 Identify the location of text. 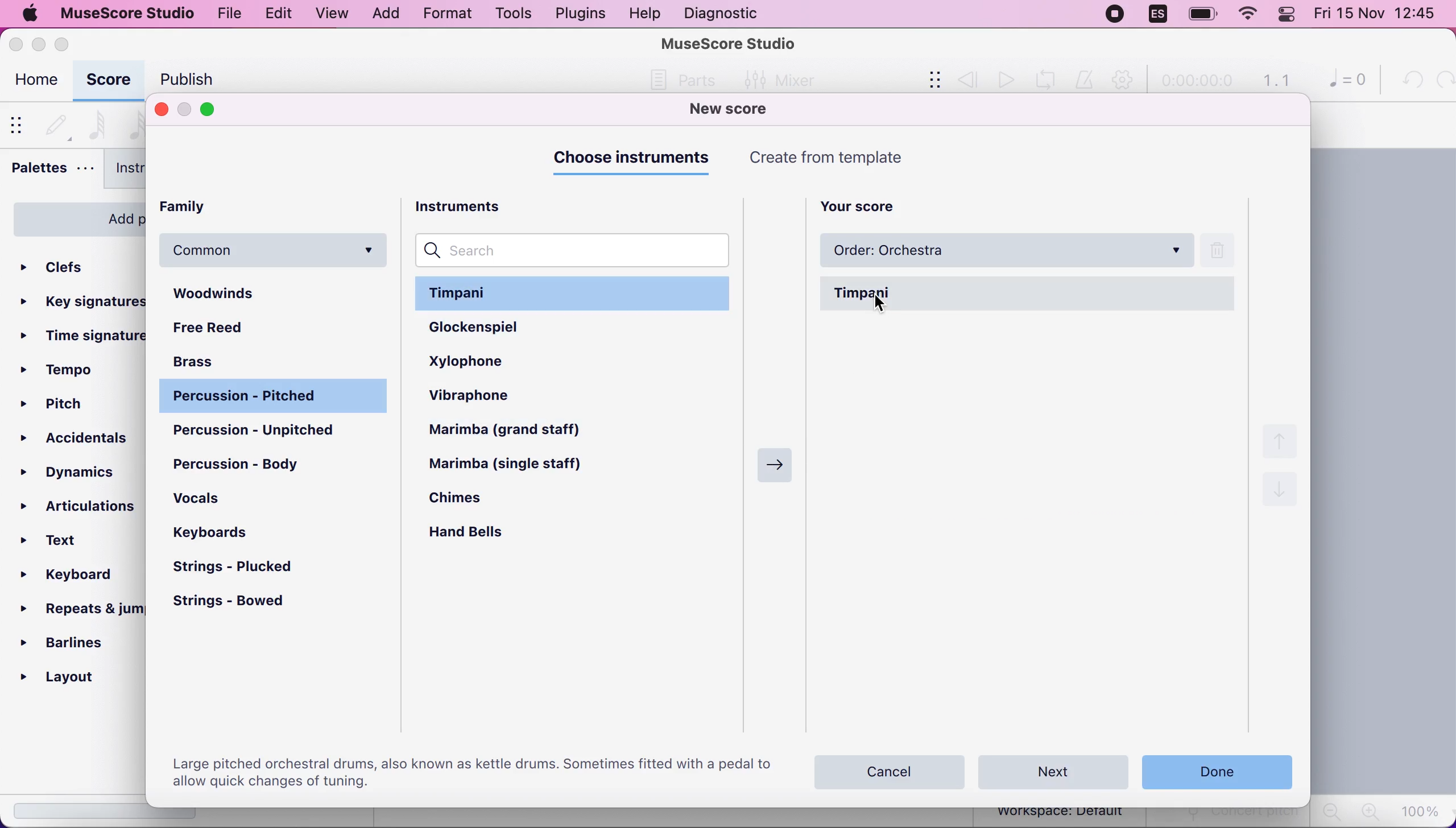
(64, 541).